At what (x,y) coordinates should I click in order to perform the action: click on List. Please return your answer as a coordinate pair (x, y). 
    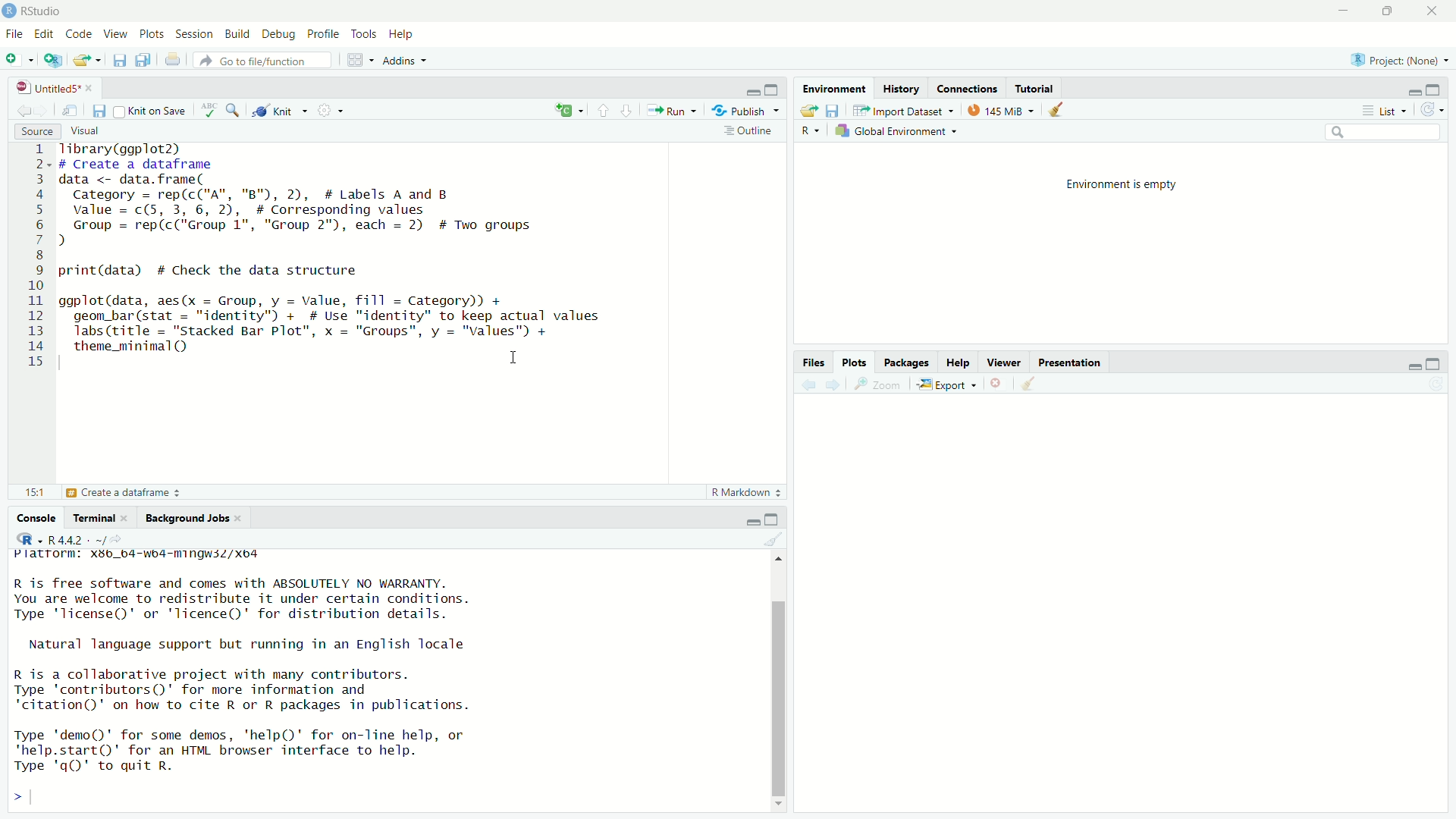
    Looking at the image, I should click on (1385, 109).